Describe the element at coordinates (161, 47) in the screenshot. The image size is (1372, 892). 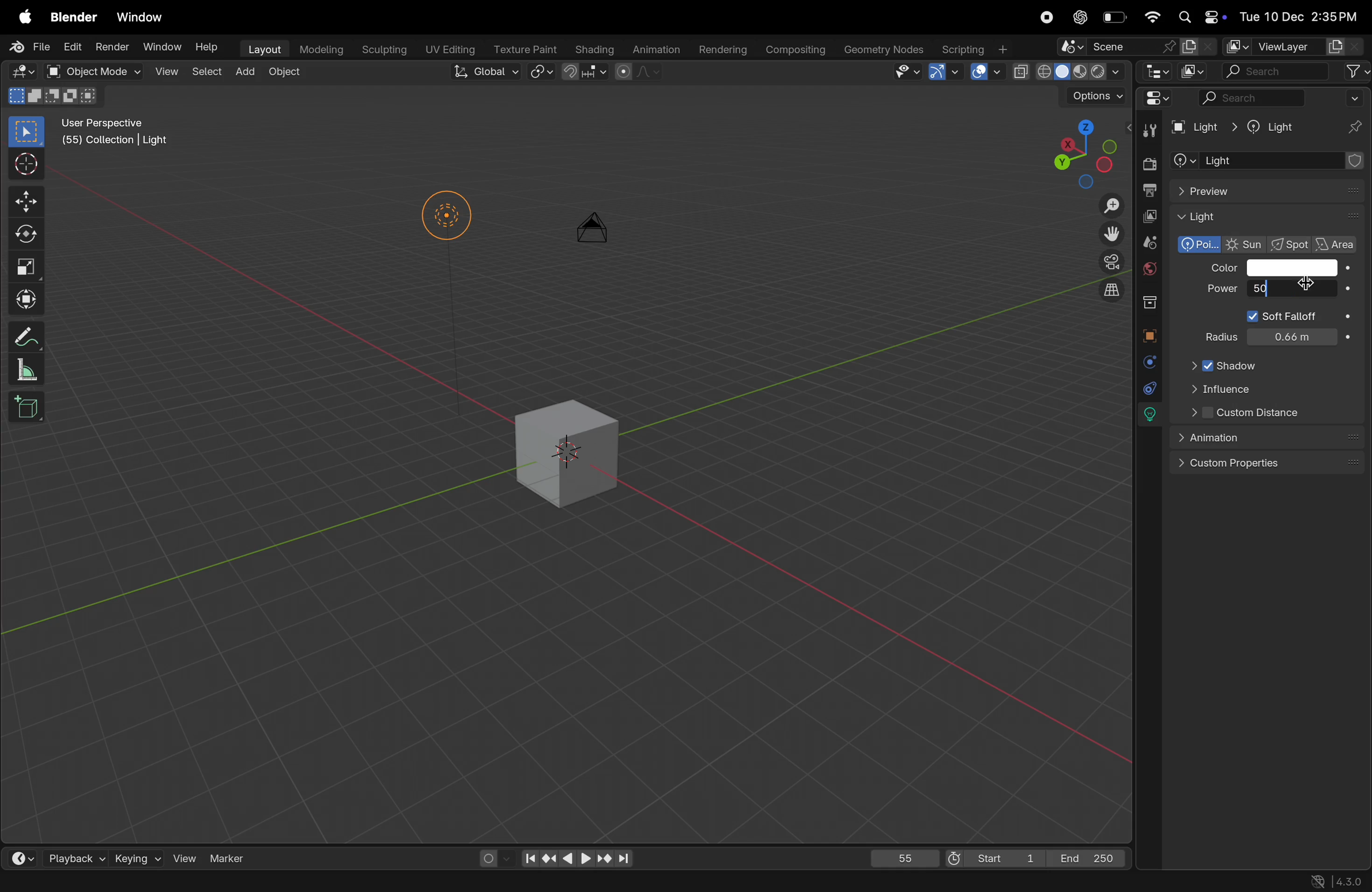
I see `Window` at that location.